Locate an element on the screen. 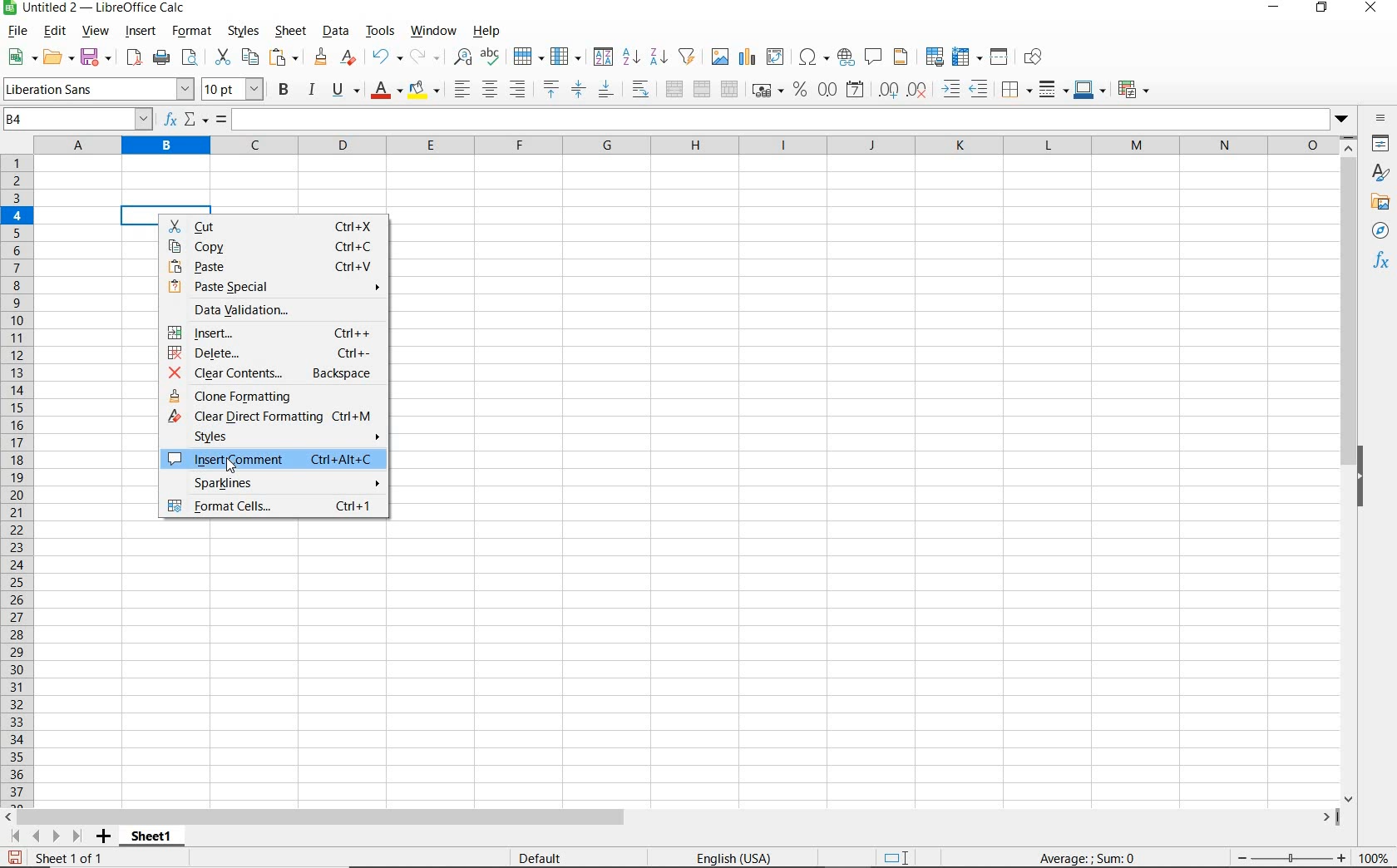 The height and width of the screenshot is (868, 1397). cursor is located at coordinates (234, 467).